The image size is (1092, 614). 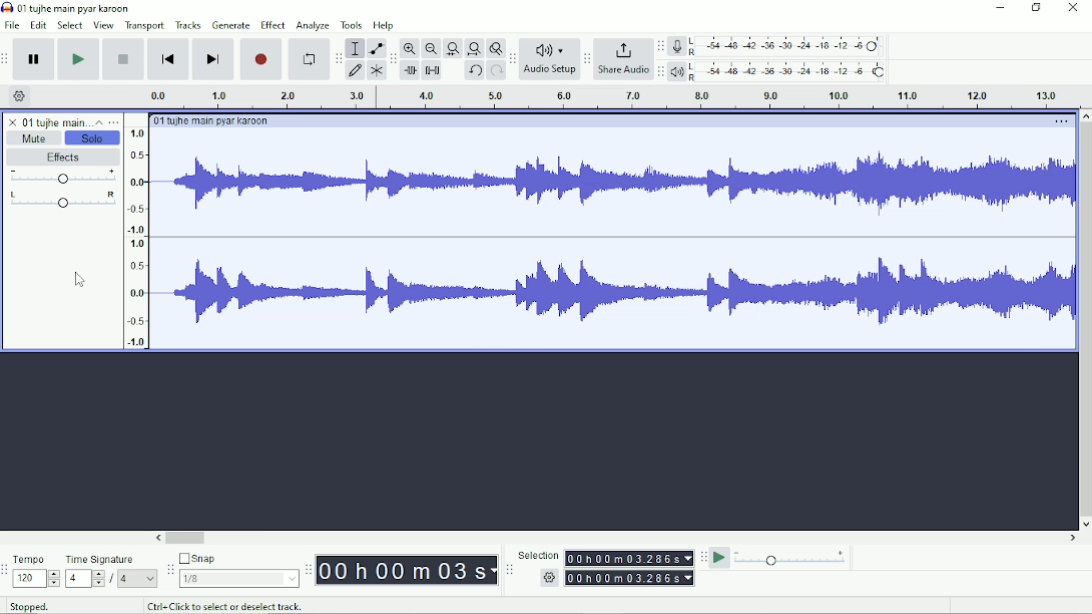 What do you see at coordinates (238, 579) in the screenshot?
I see `` at bounding box center [238, 579].